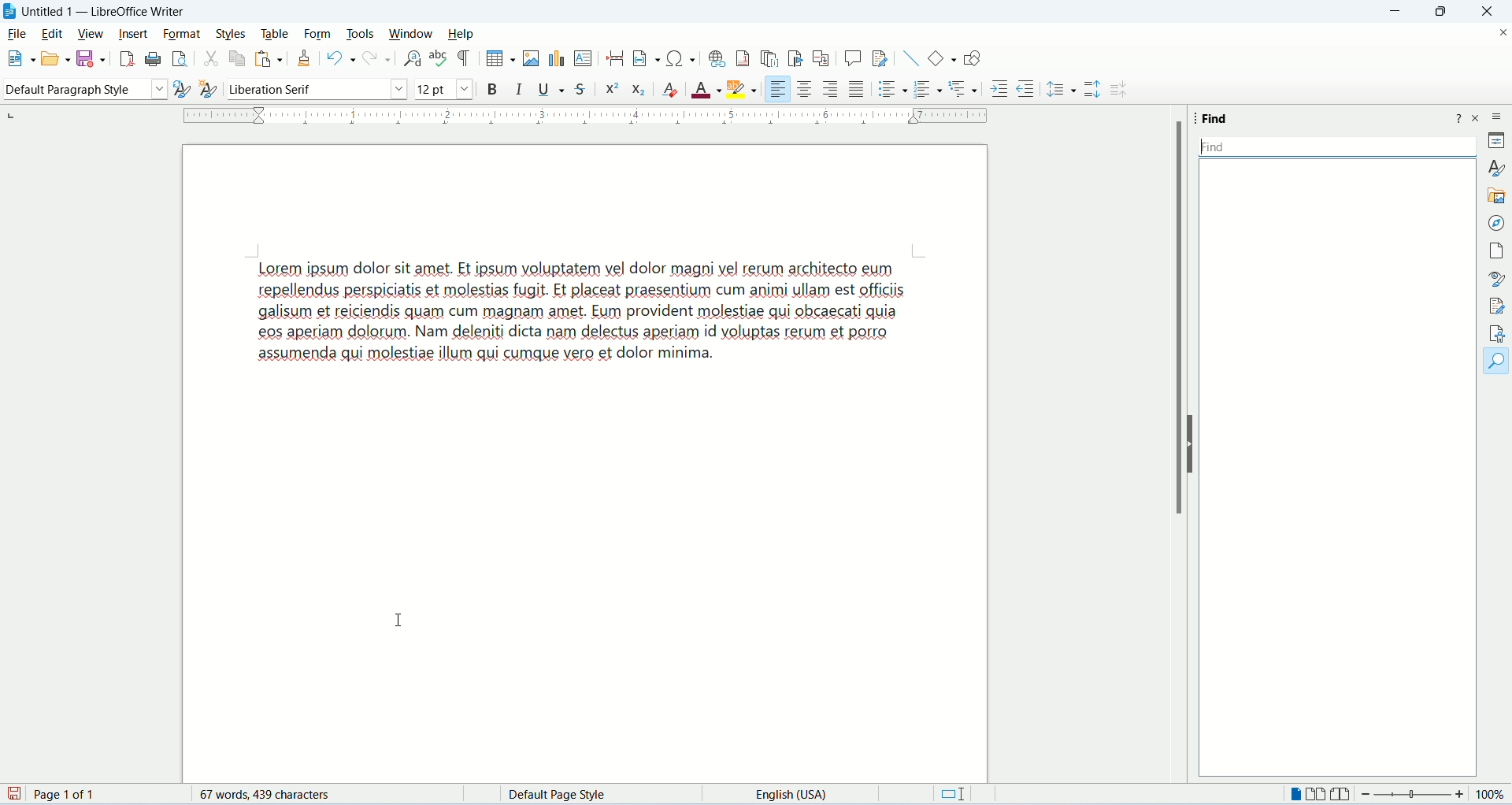 This screenshot has width=1512, height=805. What do you see at coordinates (1178, 319) in the screenshot?
I see `scroll bar` at bounding box center [1178, 319].